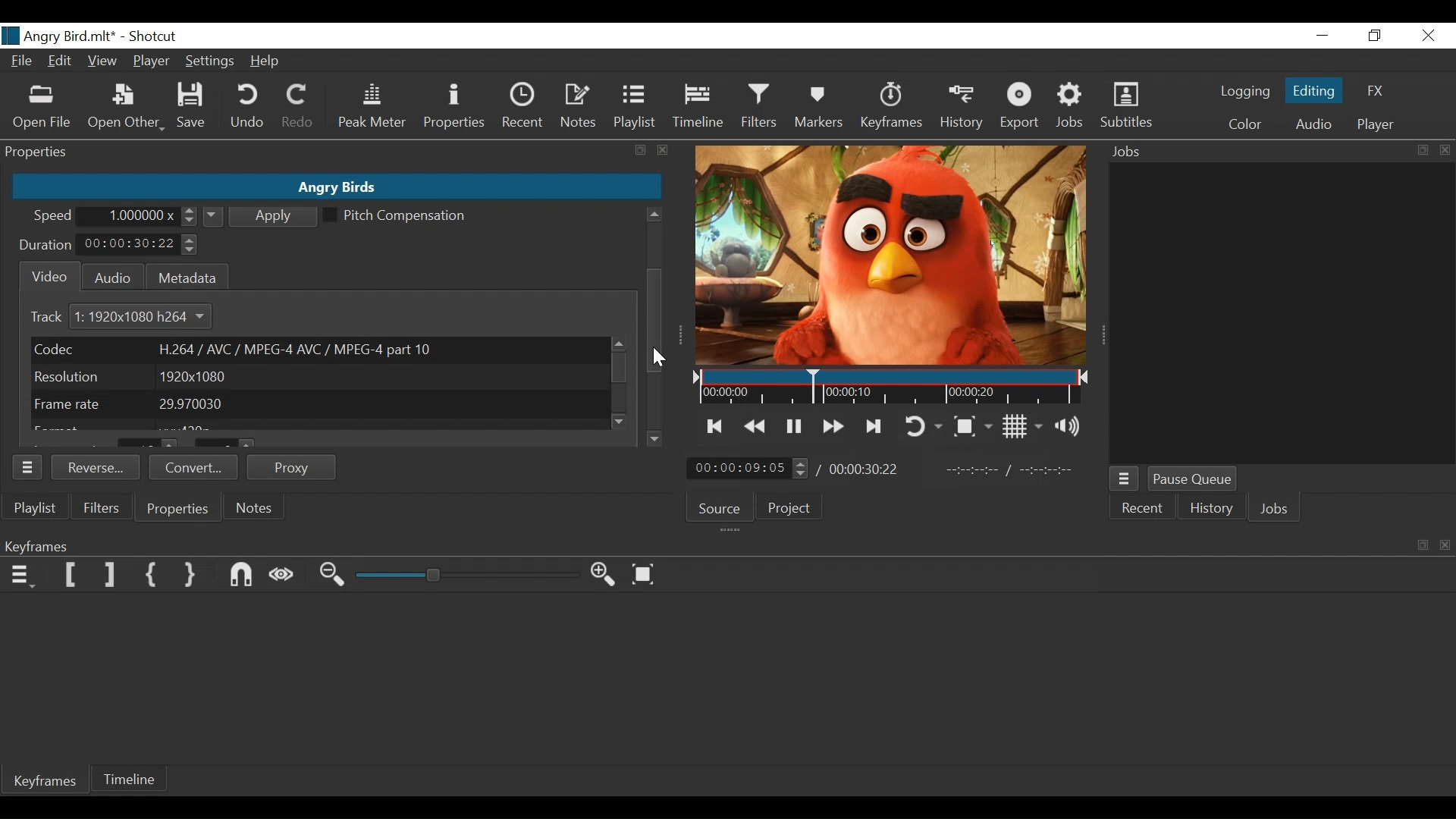 Image resolution: width=1456 pixels, height=819 pixels. Describe the element at coordinates (21, 60) in the screenshot. I see `File` at that location.